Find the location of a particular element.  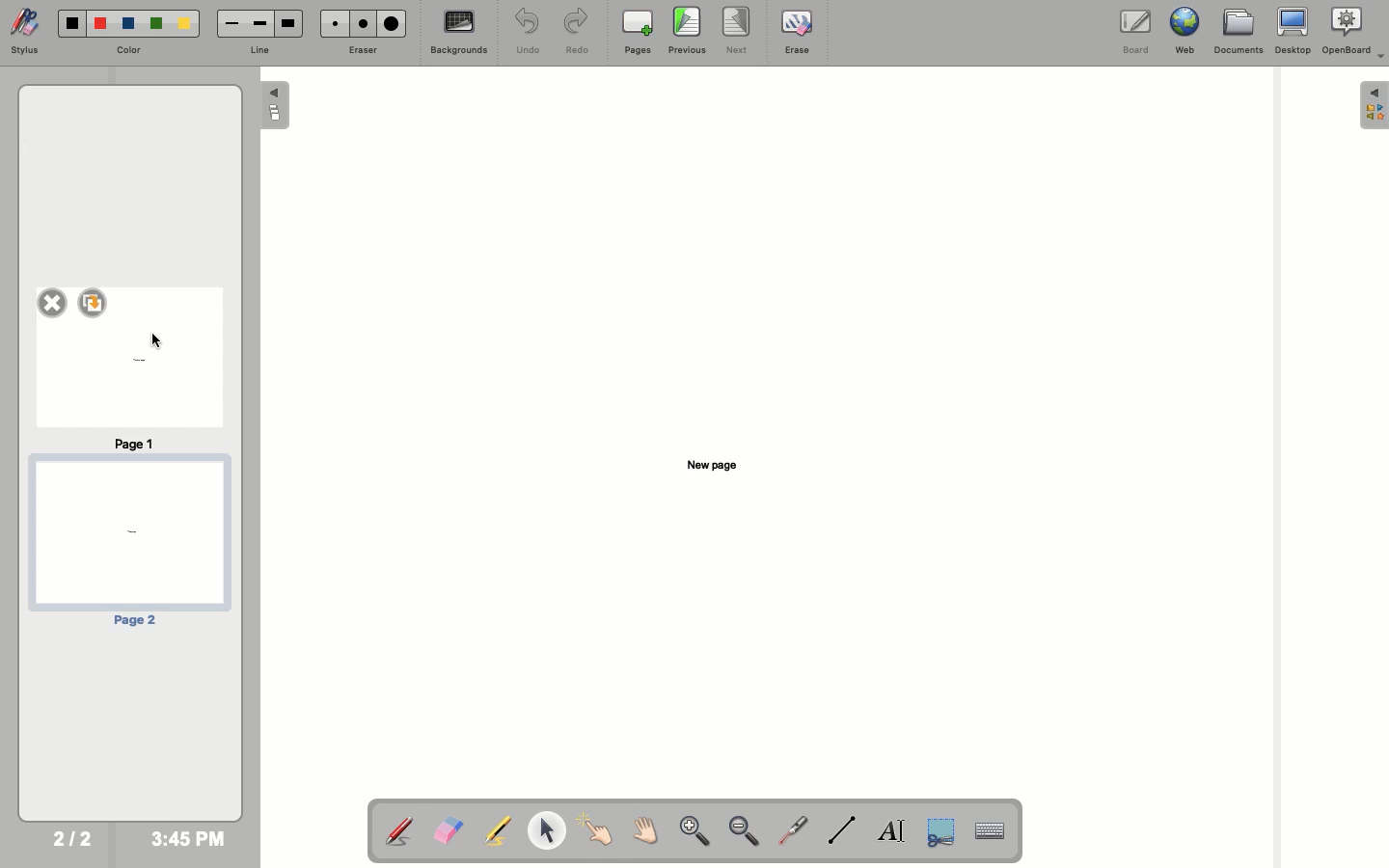

Erase is located at coordinates (797, 32).